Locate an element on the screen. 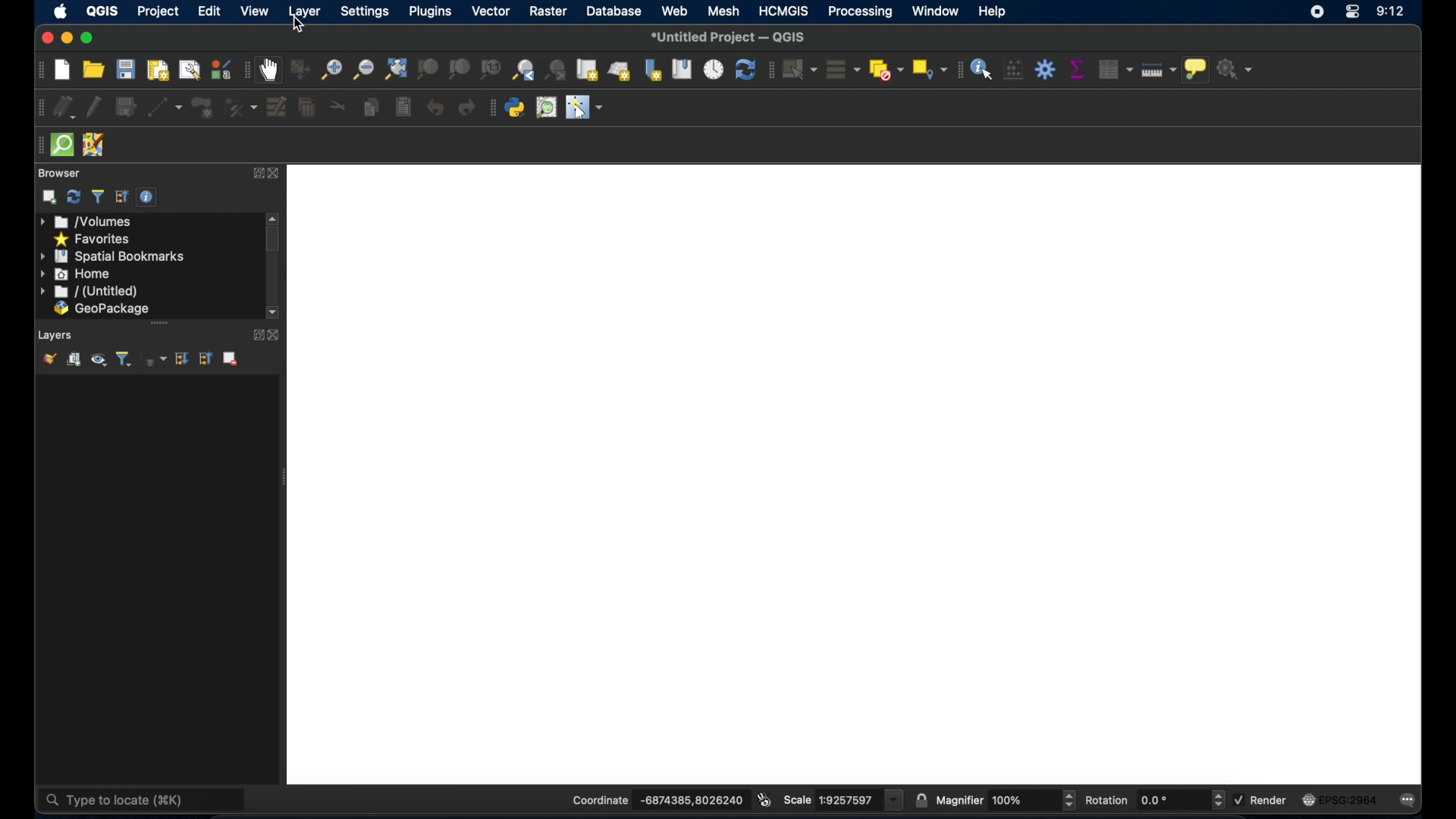  favorites is located at coordinates (93, 238).